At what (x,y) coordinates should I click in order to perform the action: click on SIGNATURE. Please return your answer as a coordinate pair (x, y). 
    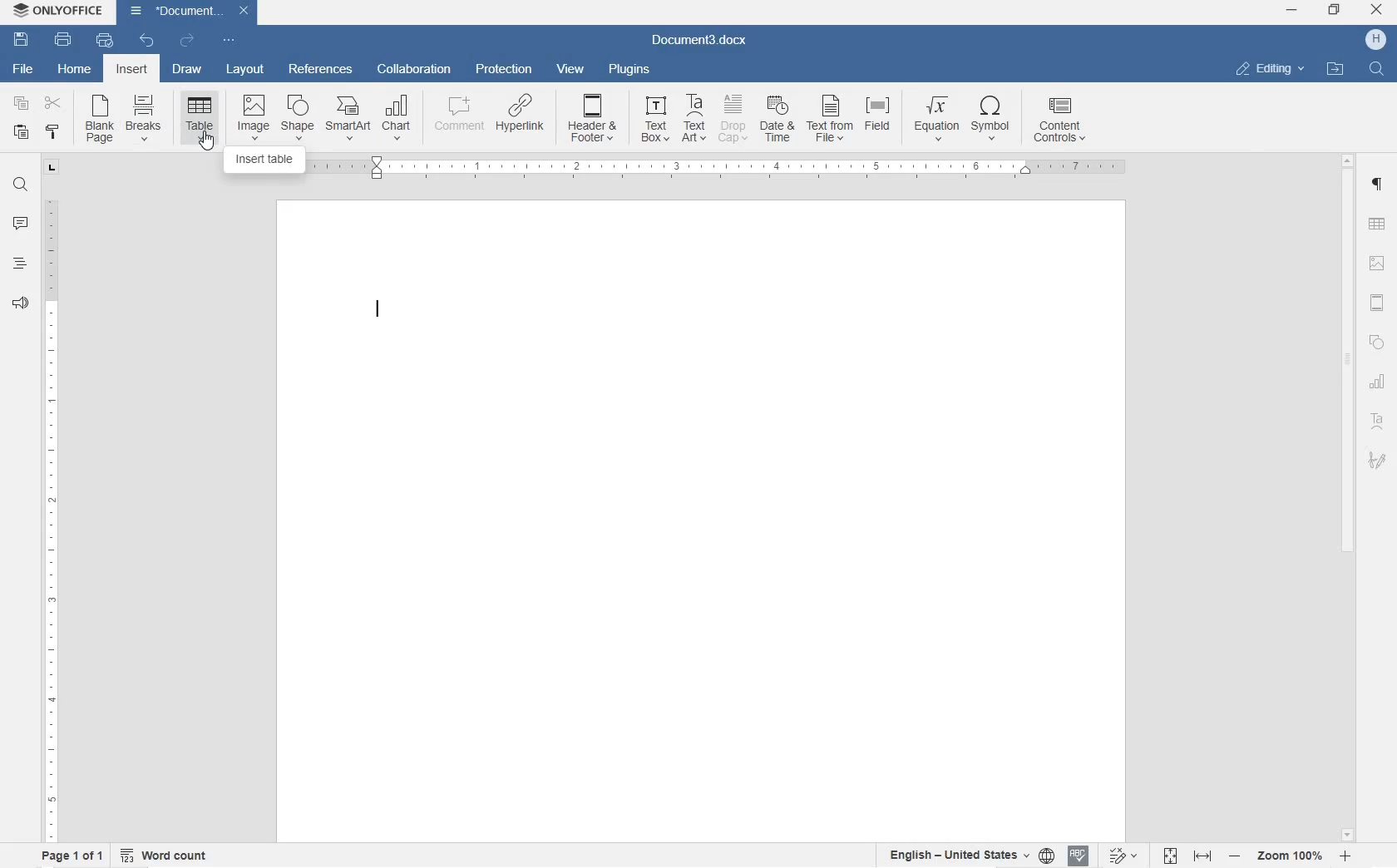
    Looking at the image, I should click on (1378, 459).